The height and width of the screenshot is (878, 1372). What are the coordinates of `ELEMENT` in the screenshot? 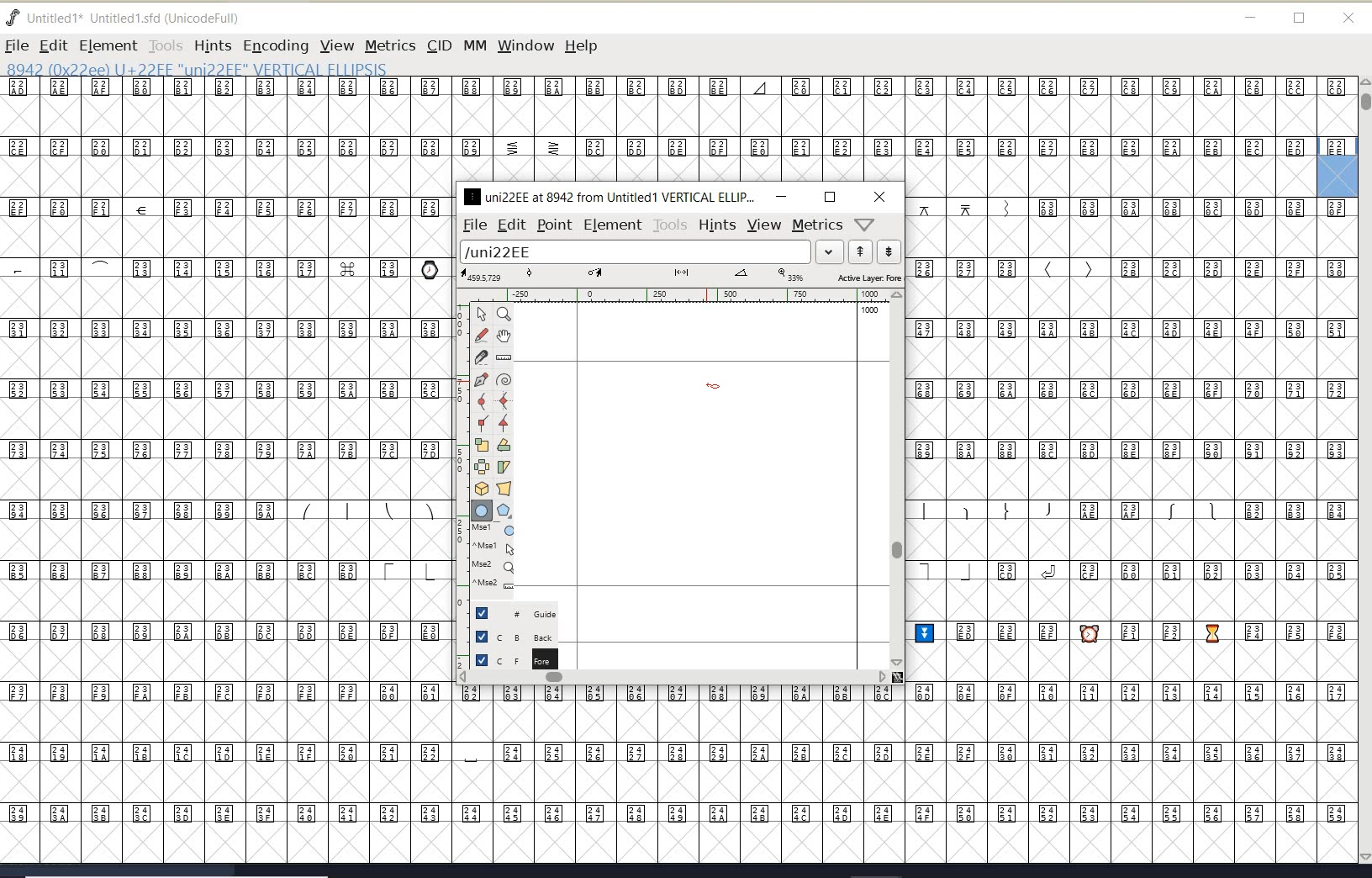 It's located at (108, 45).